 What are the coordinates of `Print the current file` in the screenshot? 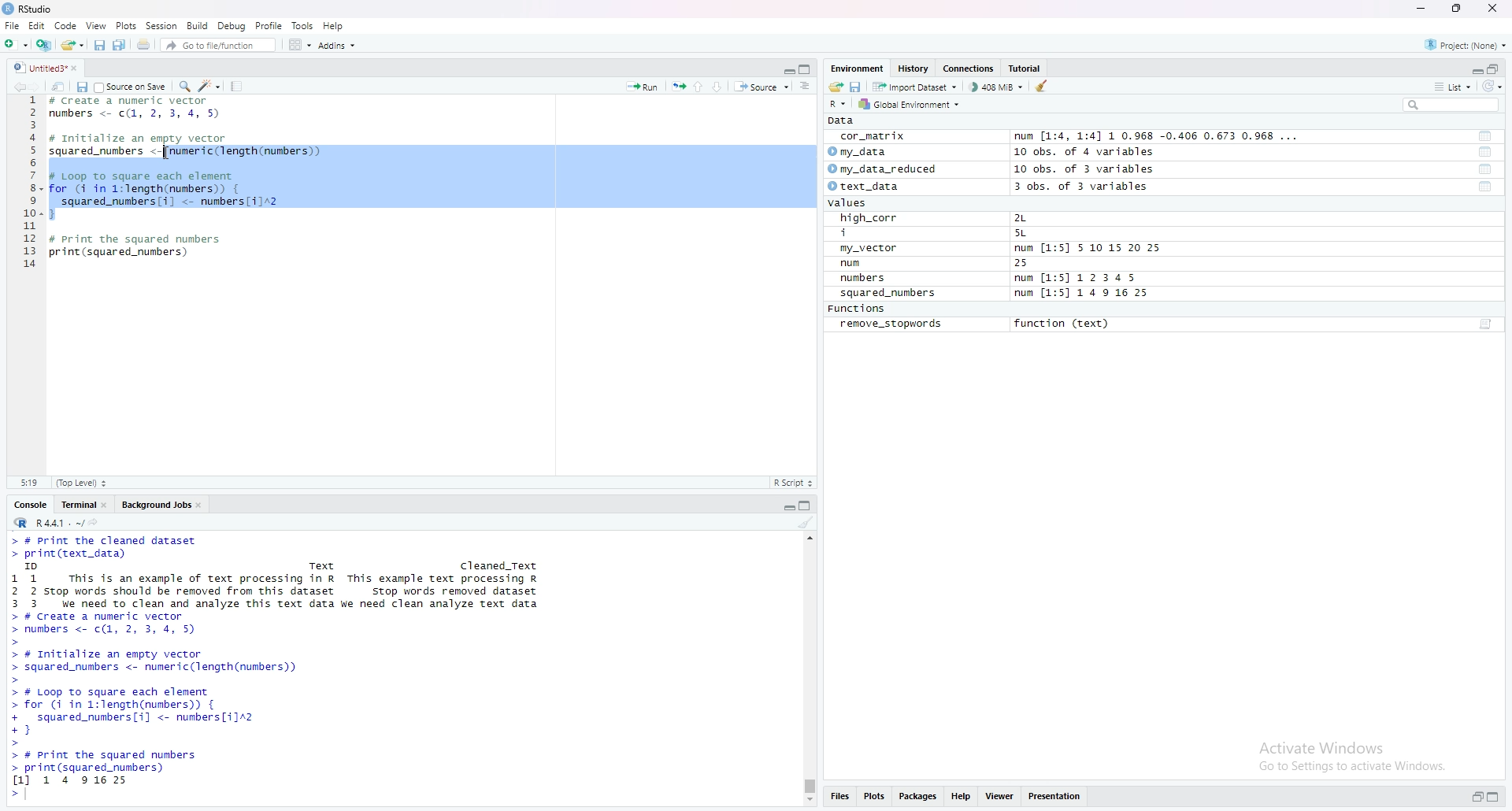 It's located at (142, 43).